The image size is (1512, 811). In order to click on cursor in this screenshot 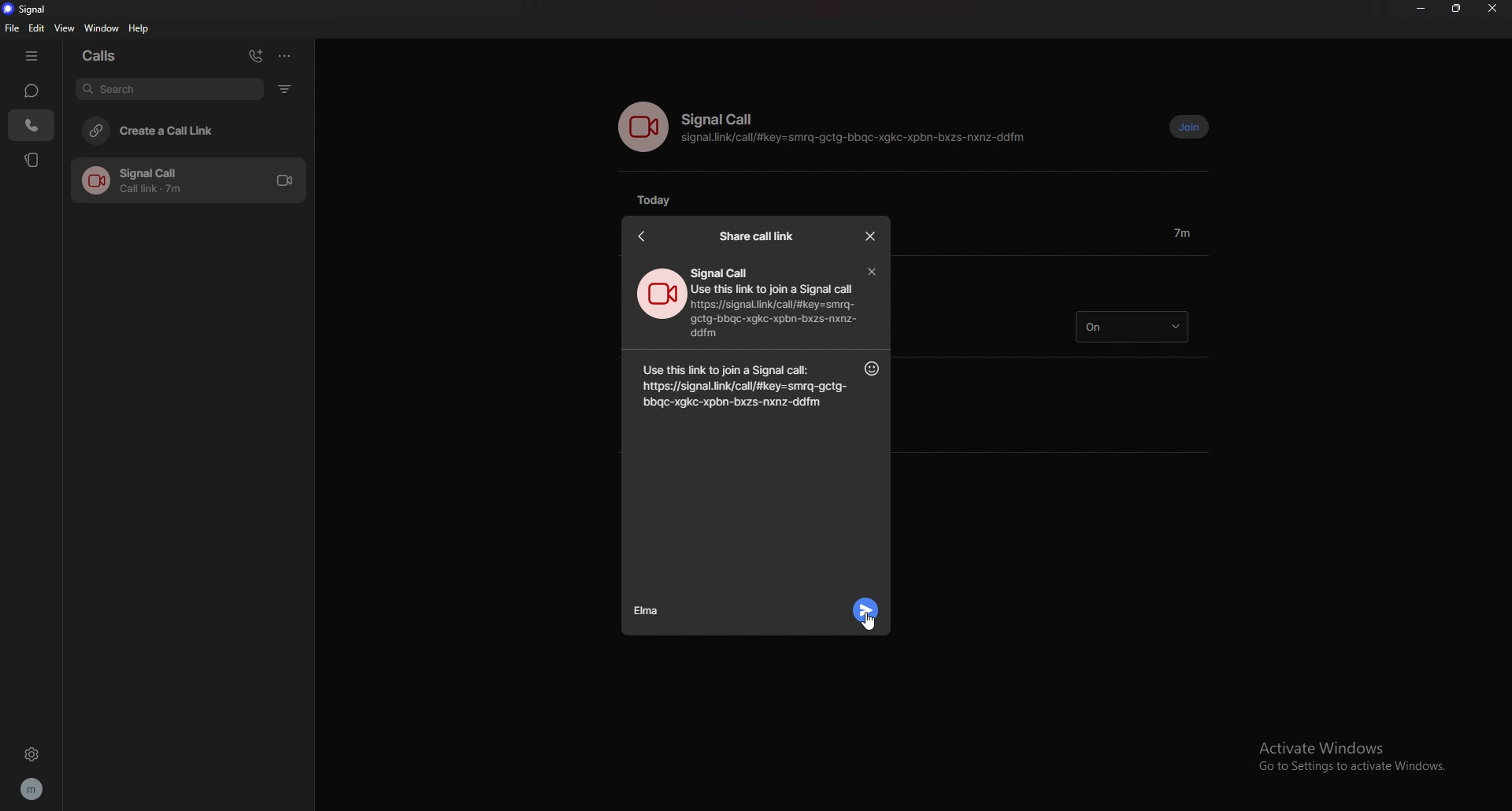, I will do `click(869, 620)`.